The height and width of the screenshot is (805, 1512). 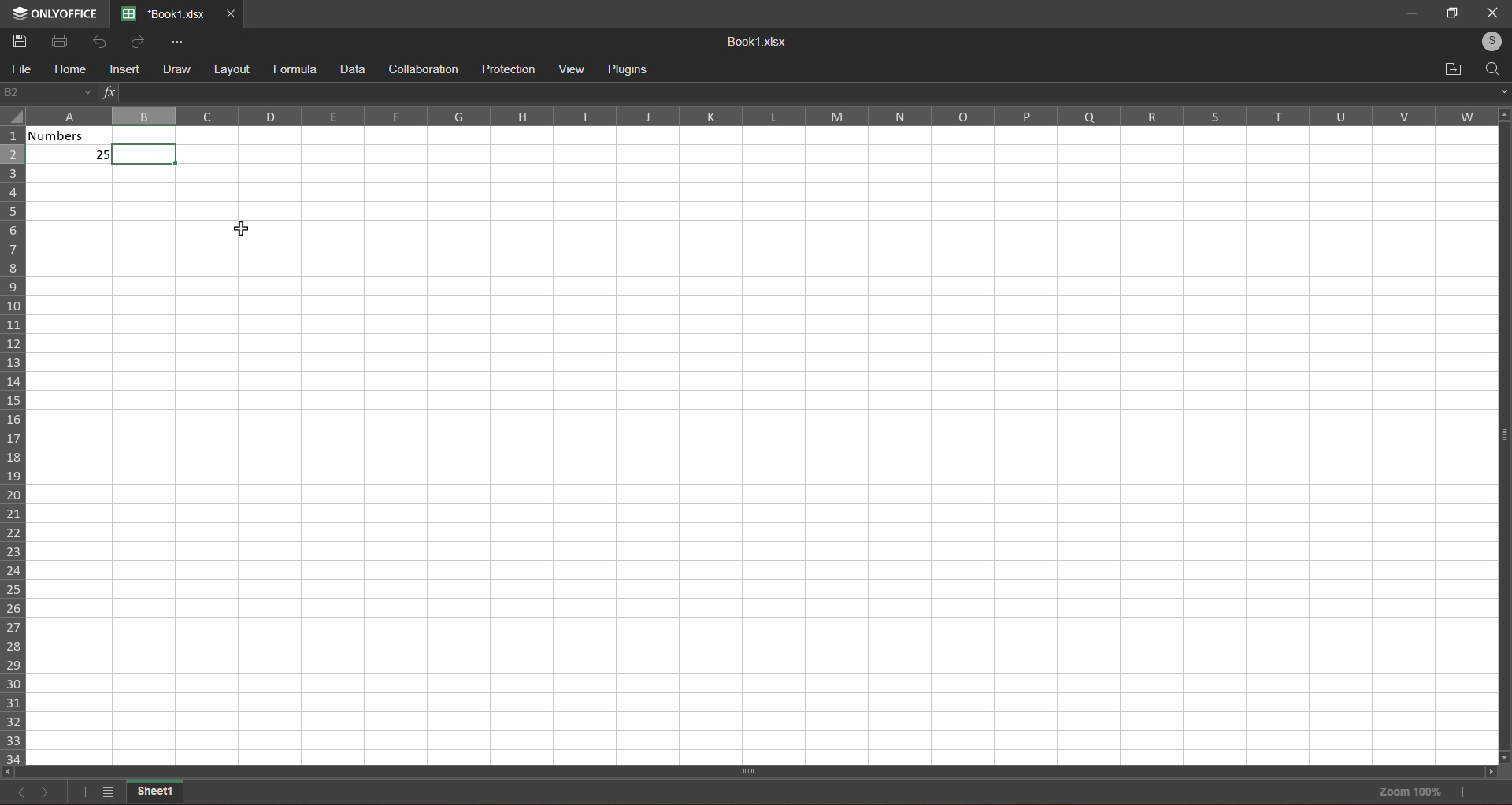 I want to click on protection, so click(x=506, y=69).